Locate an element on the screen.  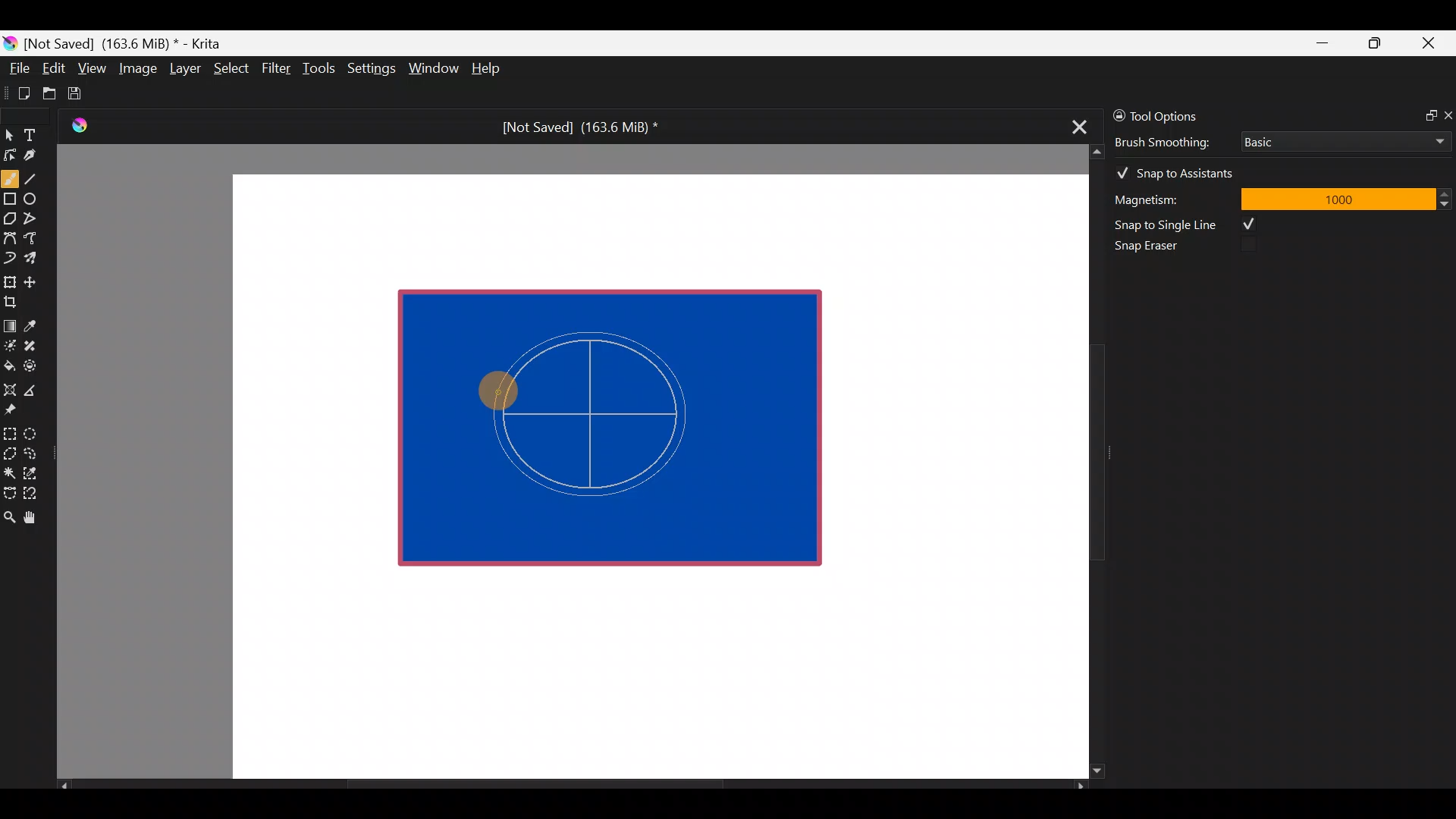
Reference images tool is located at coordinates (15, 408).